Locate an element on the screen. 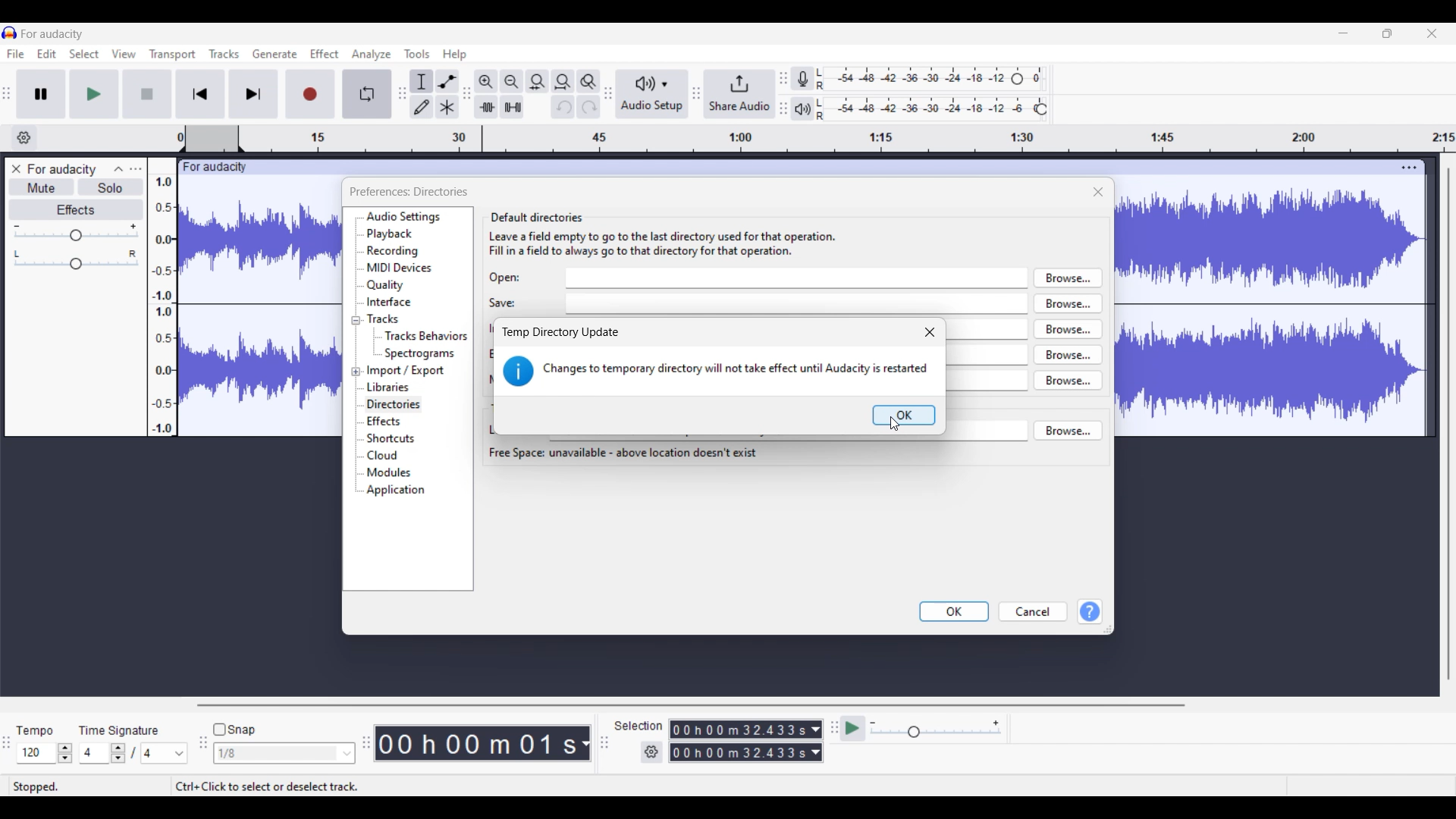  Increase/Decrease number is located at coordinates (118, 753).